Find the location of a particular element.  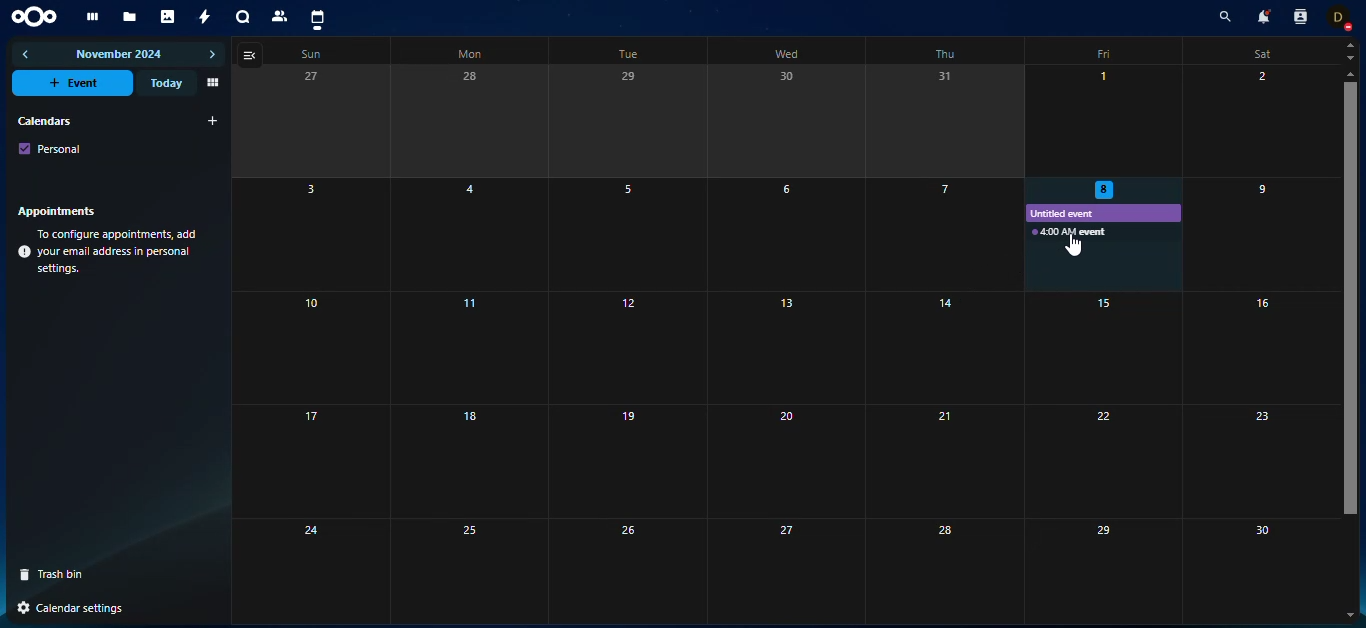

files is located at coordinates (130, 18).